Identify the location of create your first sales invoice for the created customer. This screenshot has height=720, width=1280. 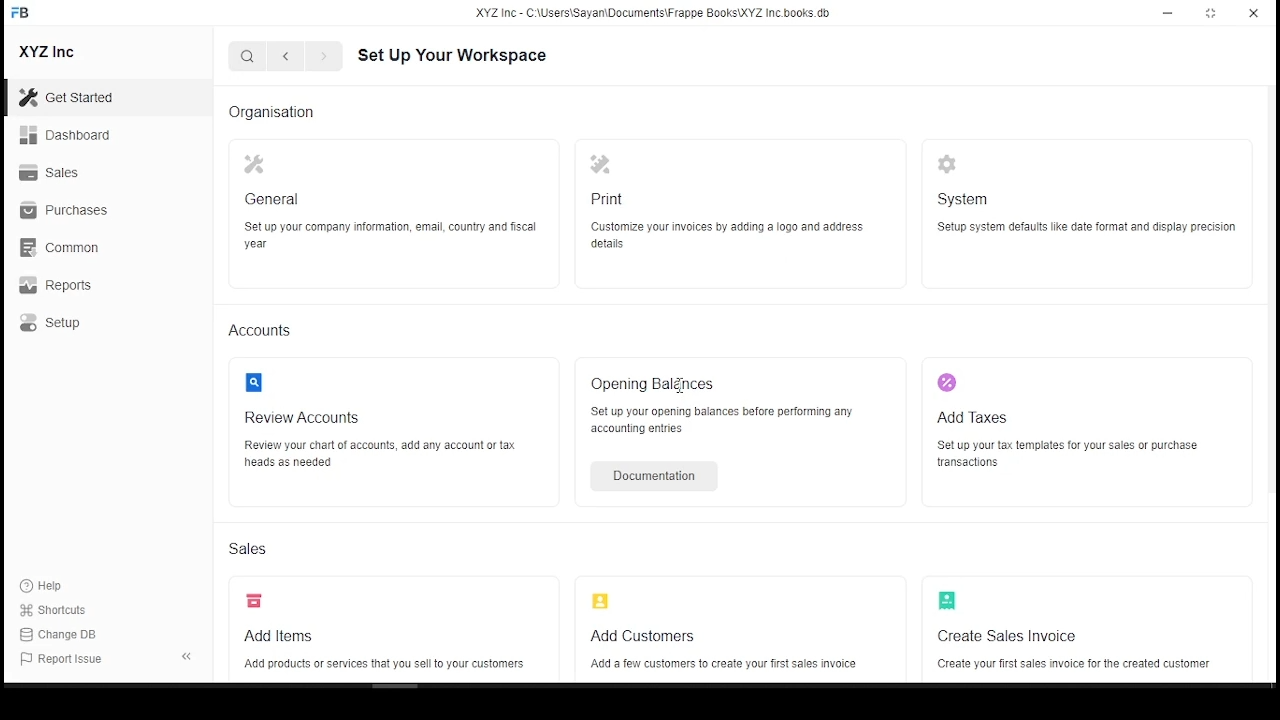
(1073, 664).